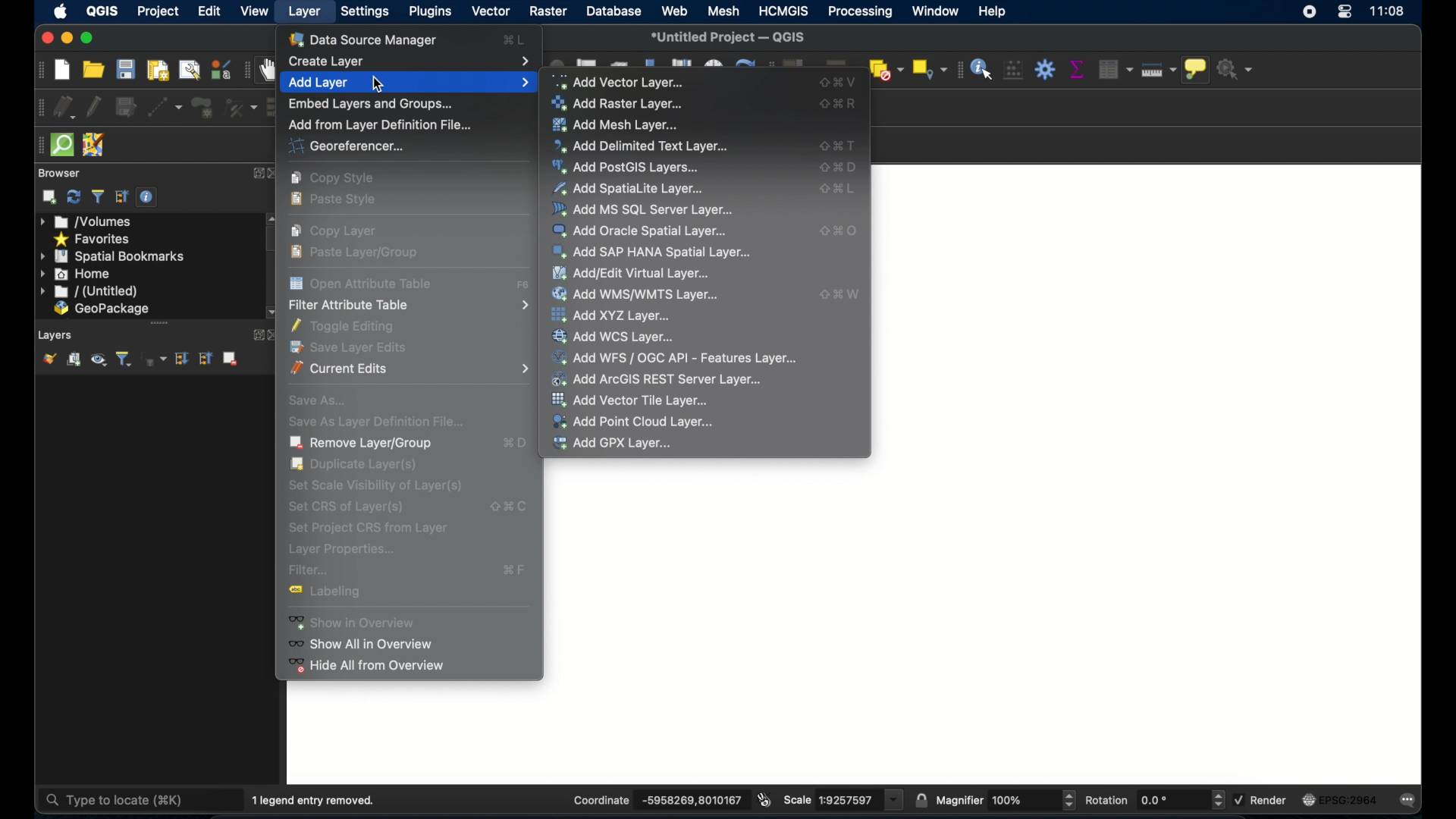 The image size is (1456, 819). Describe the element at coordinates (675, 356) in the screenshot. I see `add wfs/ogc api -features layer` at that location.